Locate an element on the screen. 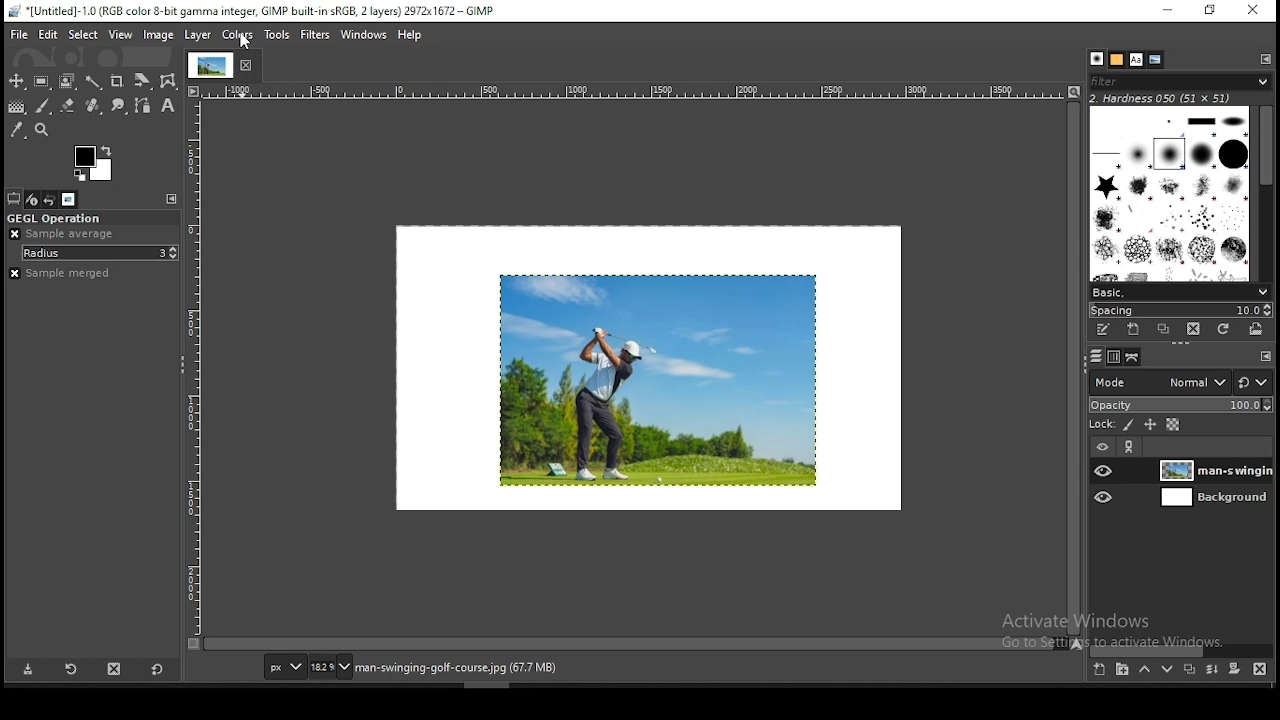  tools is located at coordinates (276, 35).